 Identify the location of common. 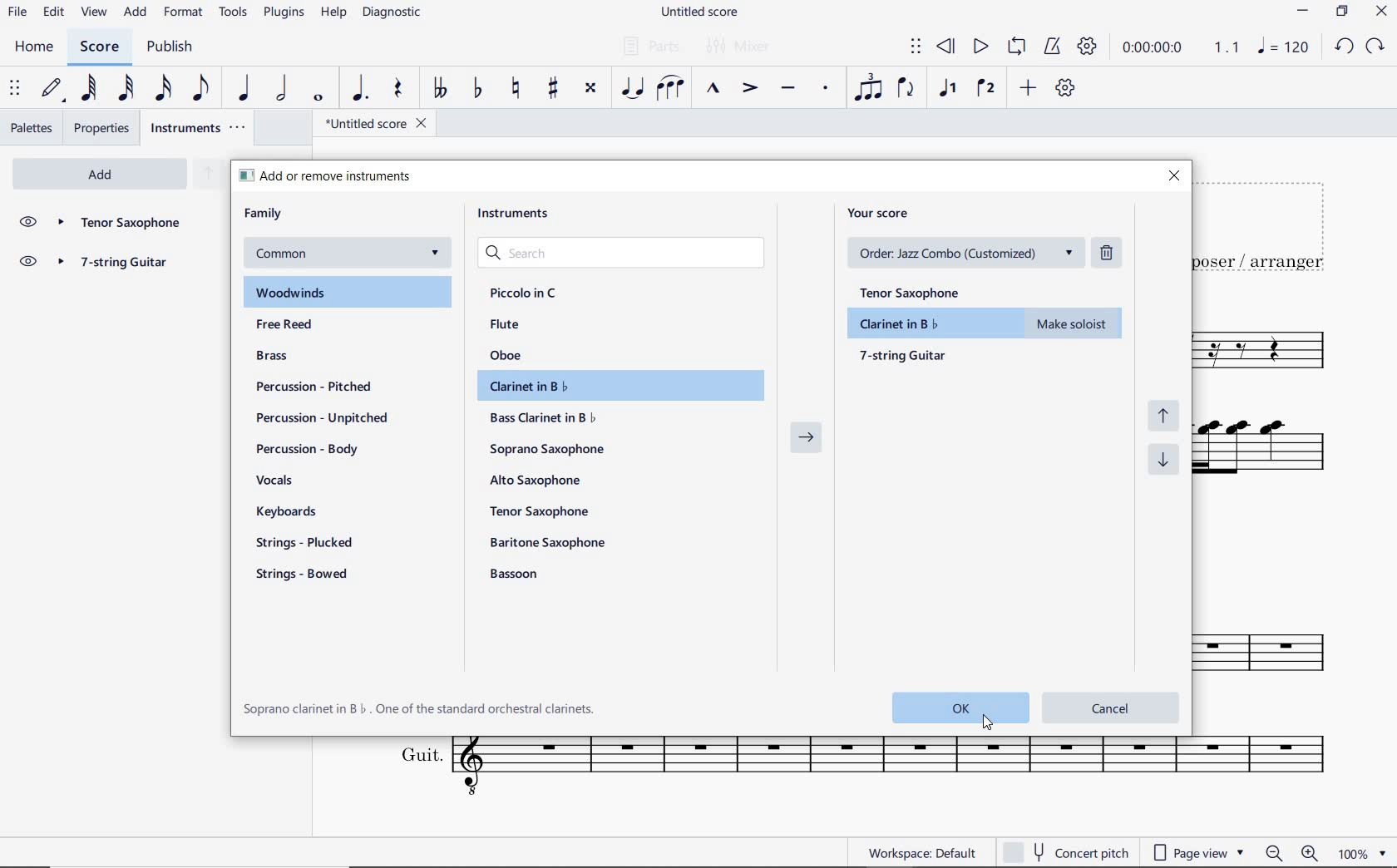
(345, 254).